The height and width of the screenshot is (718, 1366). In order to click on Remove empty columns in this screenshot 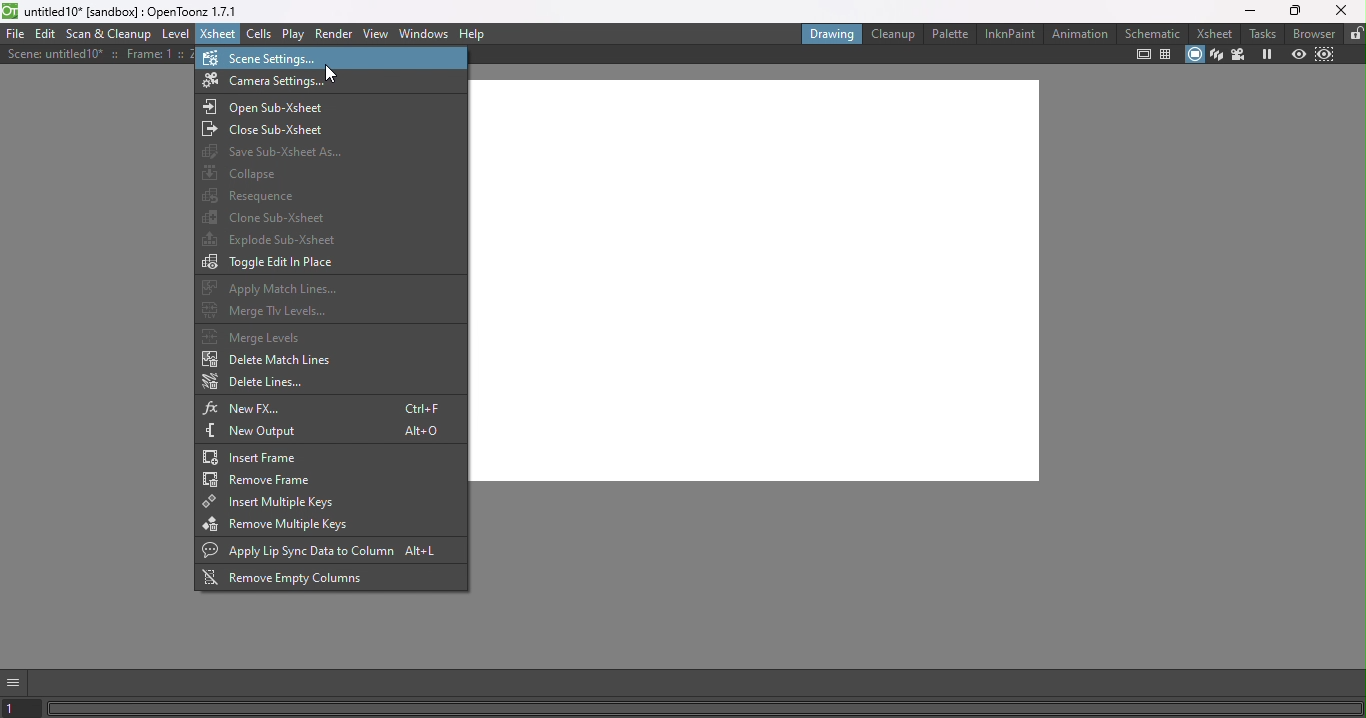, I will do `click(283, 578)`.